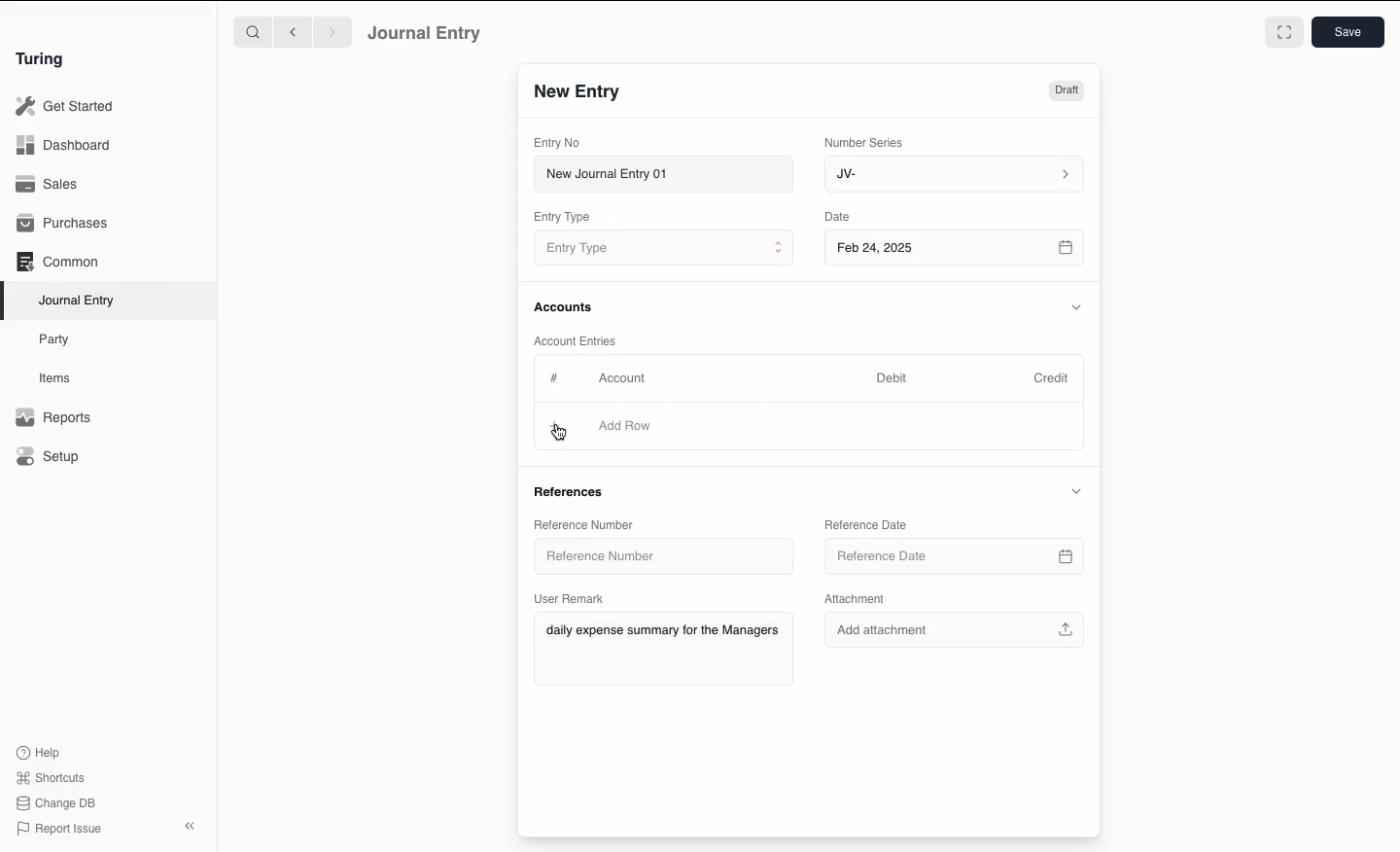 The height and width of the screenshot is (852, 1400). Describe the element at coordinates (626, 427) in the screenshot. I see `Add Row` at that location.